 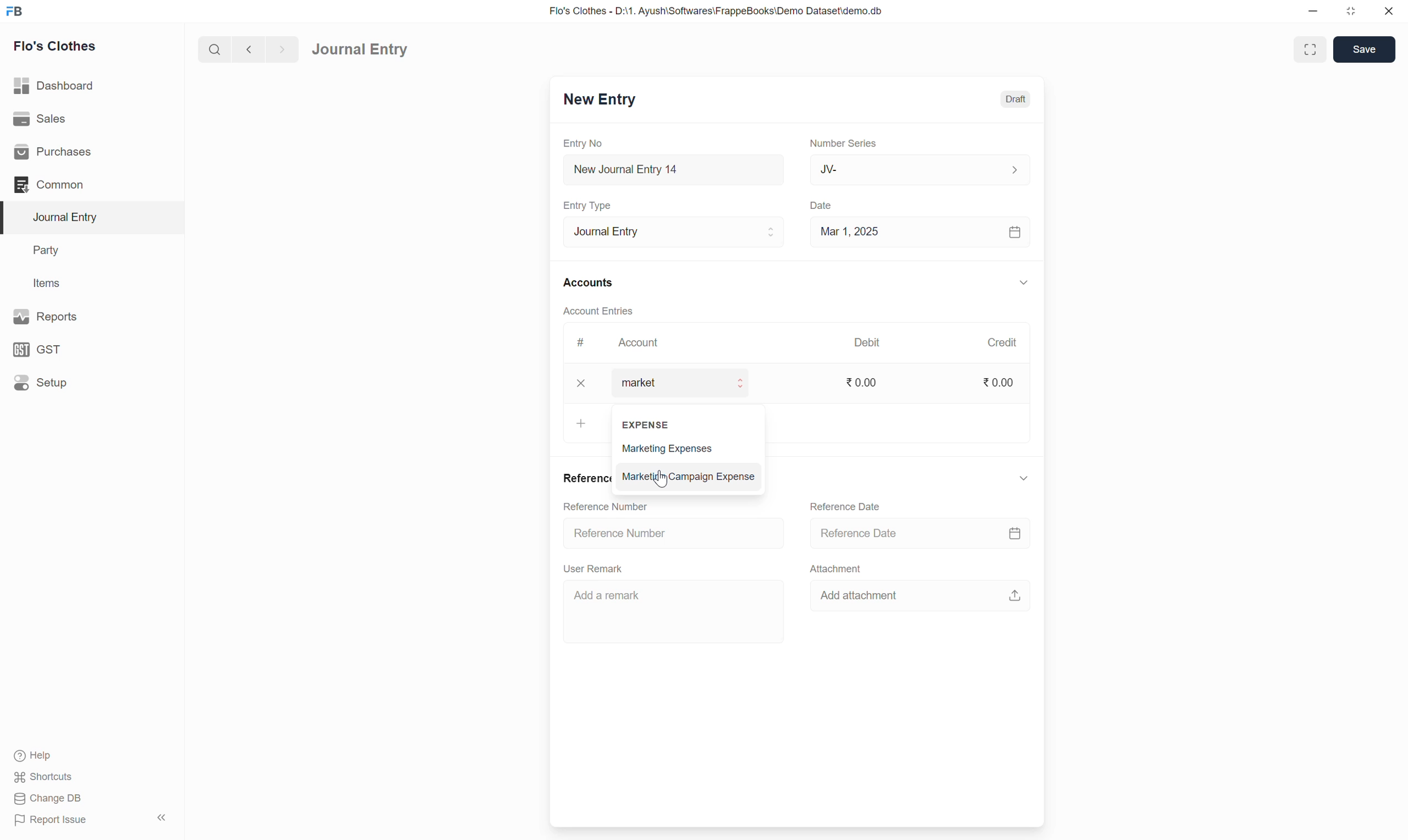 I want to click on Reference number, so click(x=617, y=506).